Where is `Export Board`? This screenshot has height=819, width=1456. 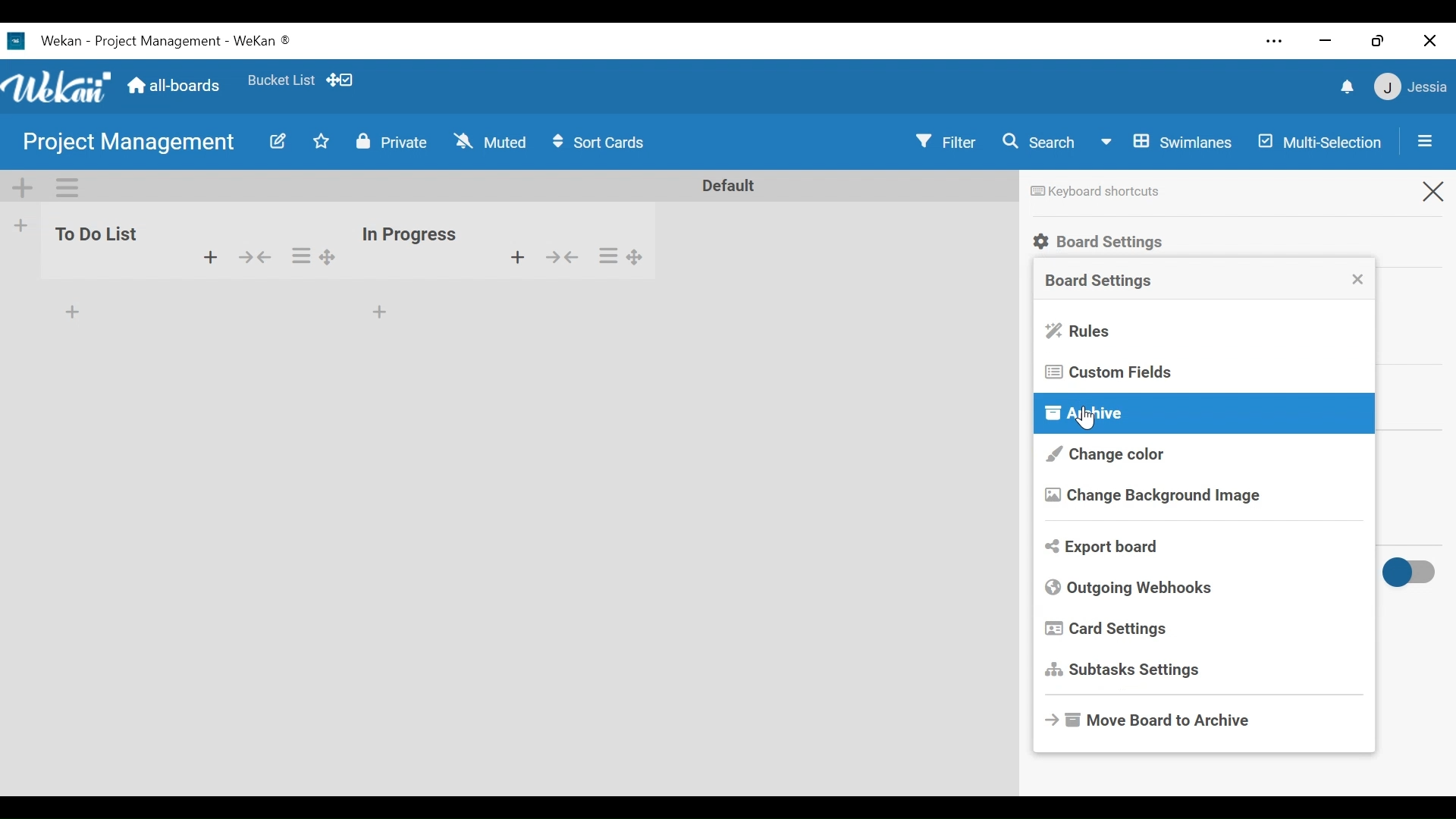 Export Board is located at coordinates (1103, 548).